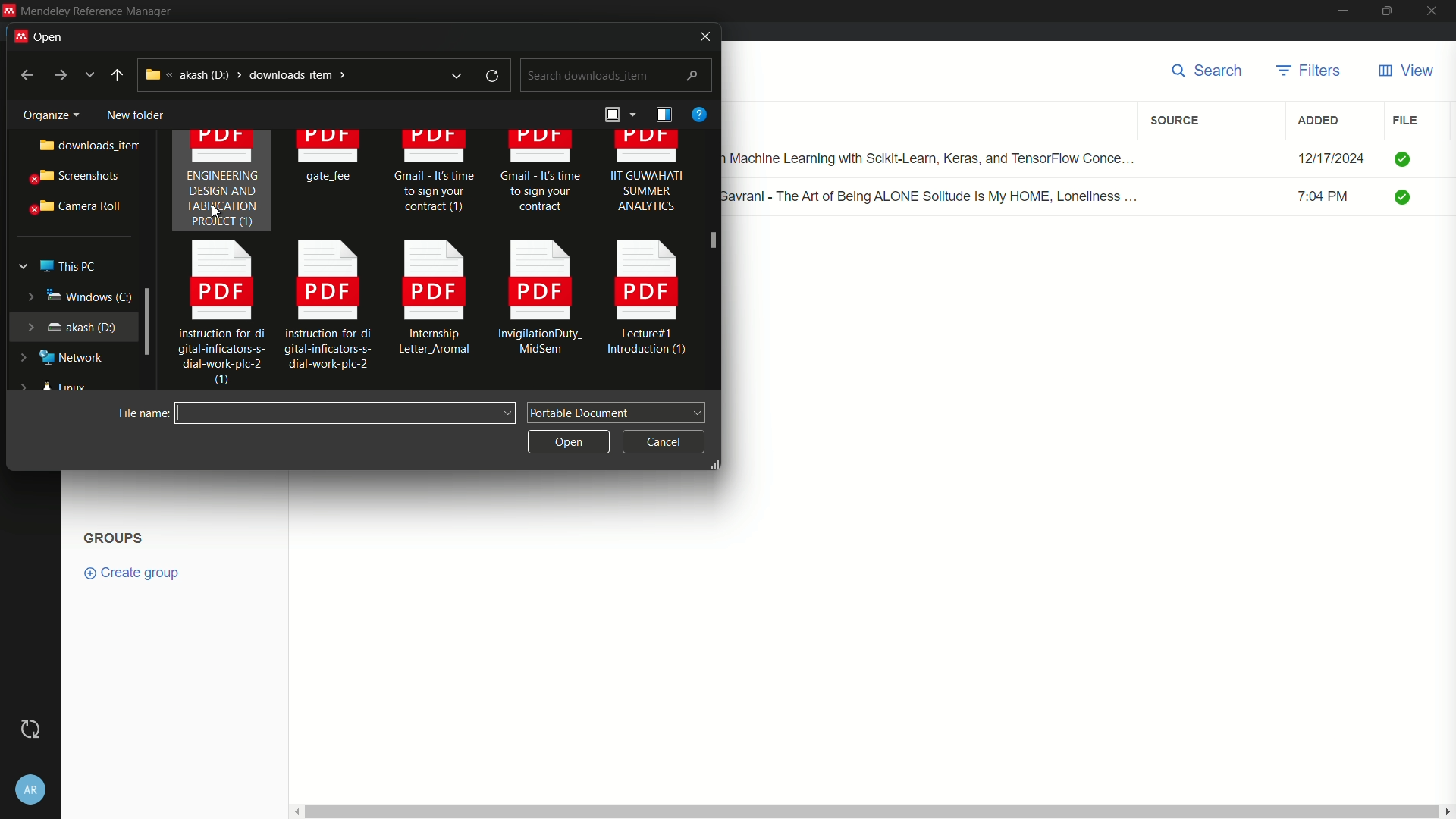 The image size is (1456, 819). What do you see at coordinates (1447, 811) in the screenshot?
I see `scroll right` at bounding box center [1447, 811].